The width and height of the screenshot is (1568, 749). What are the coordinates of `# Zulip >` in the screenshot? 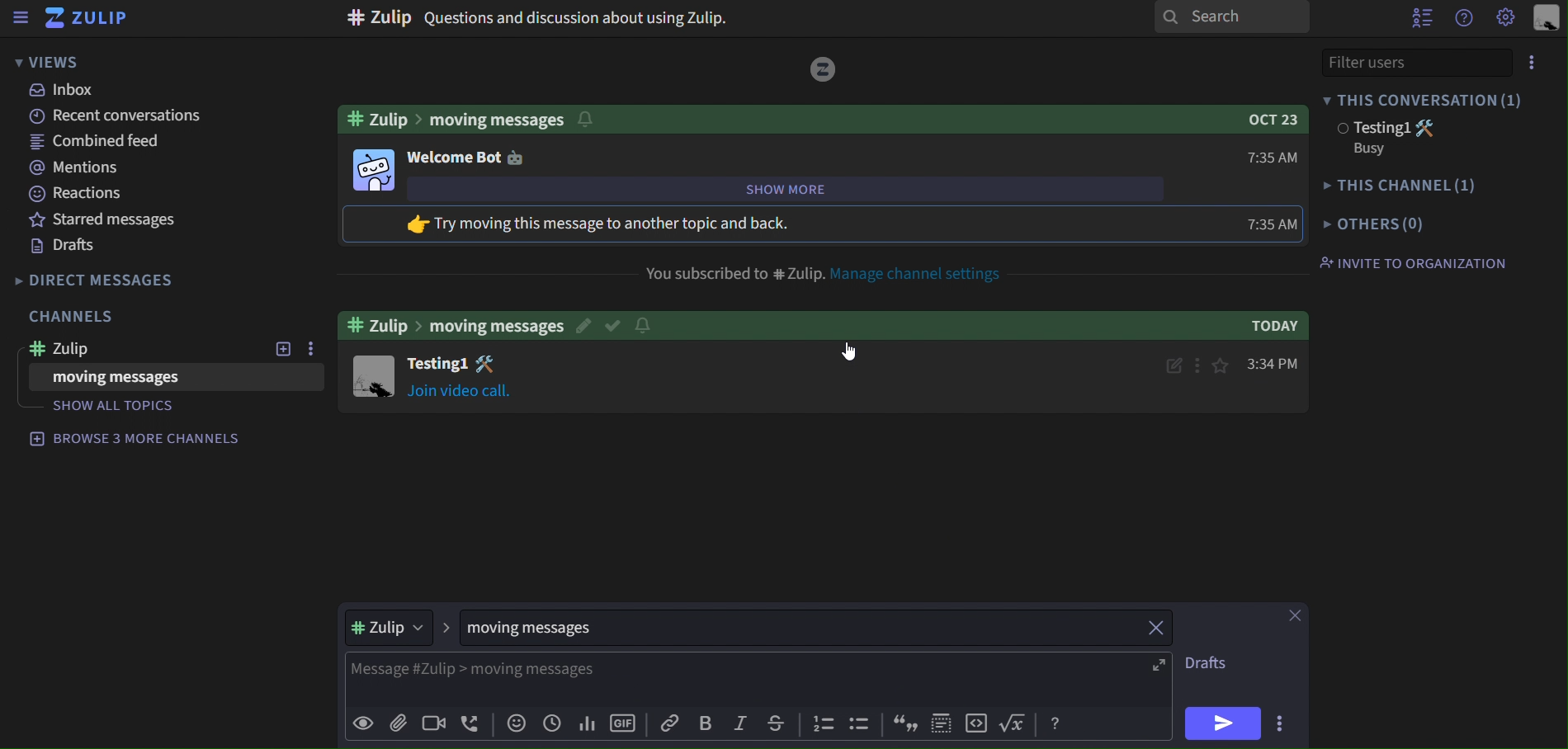 It's located at (396, 628).